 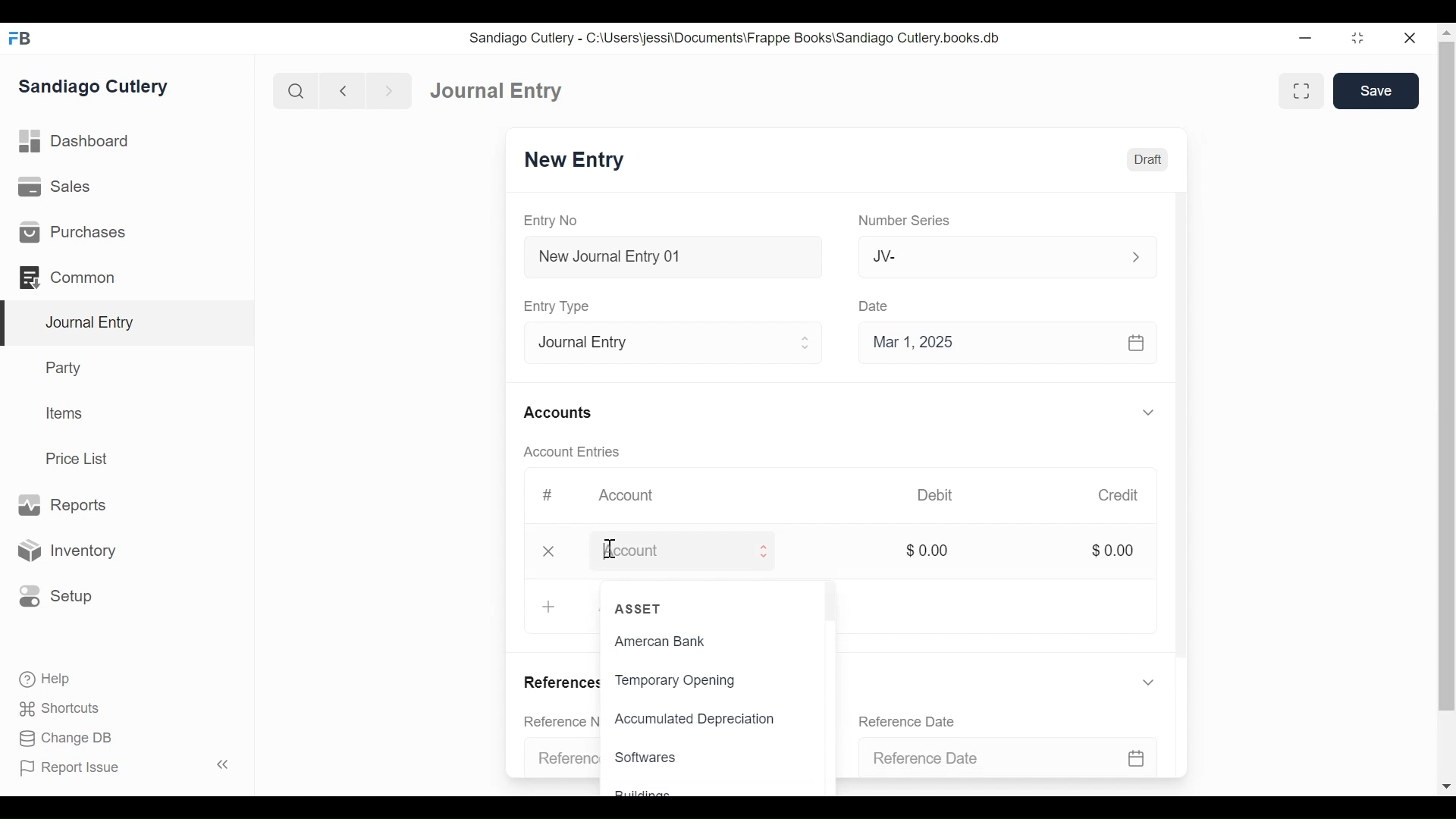 I want to click on move up, so click(x=1444, y=33).